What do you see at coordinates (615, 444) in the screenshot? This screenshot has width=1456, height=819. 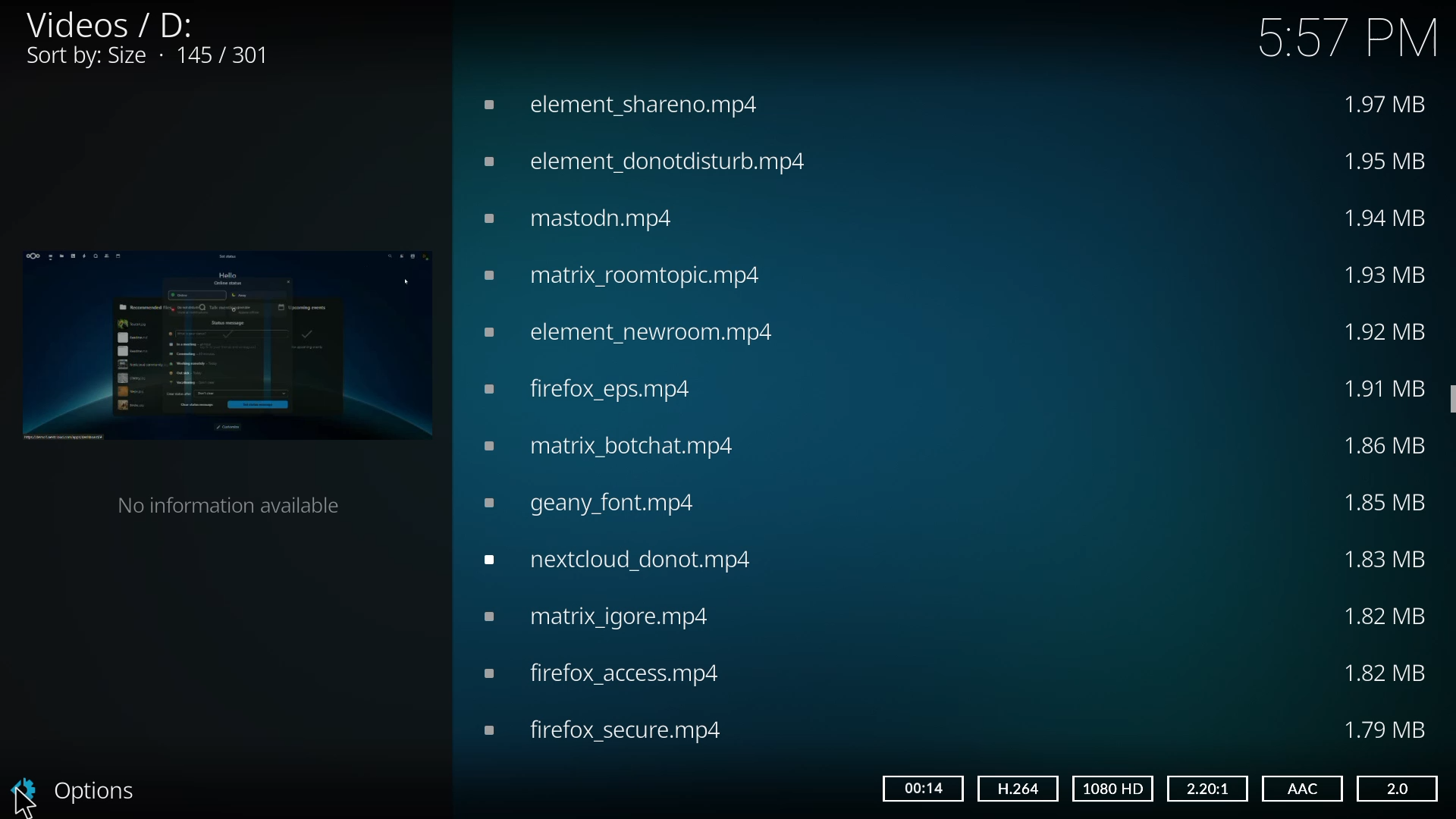 I see `video` at bounding box center [615, 444].